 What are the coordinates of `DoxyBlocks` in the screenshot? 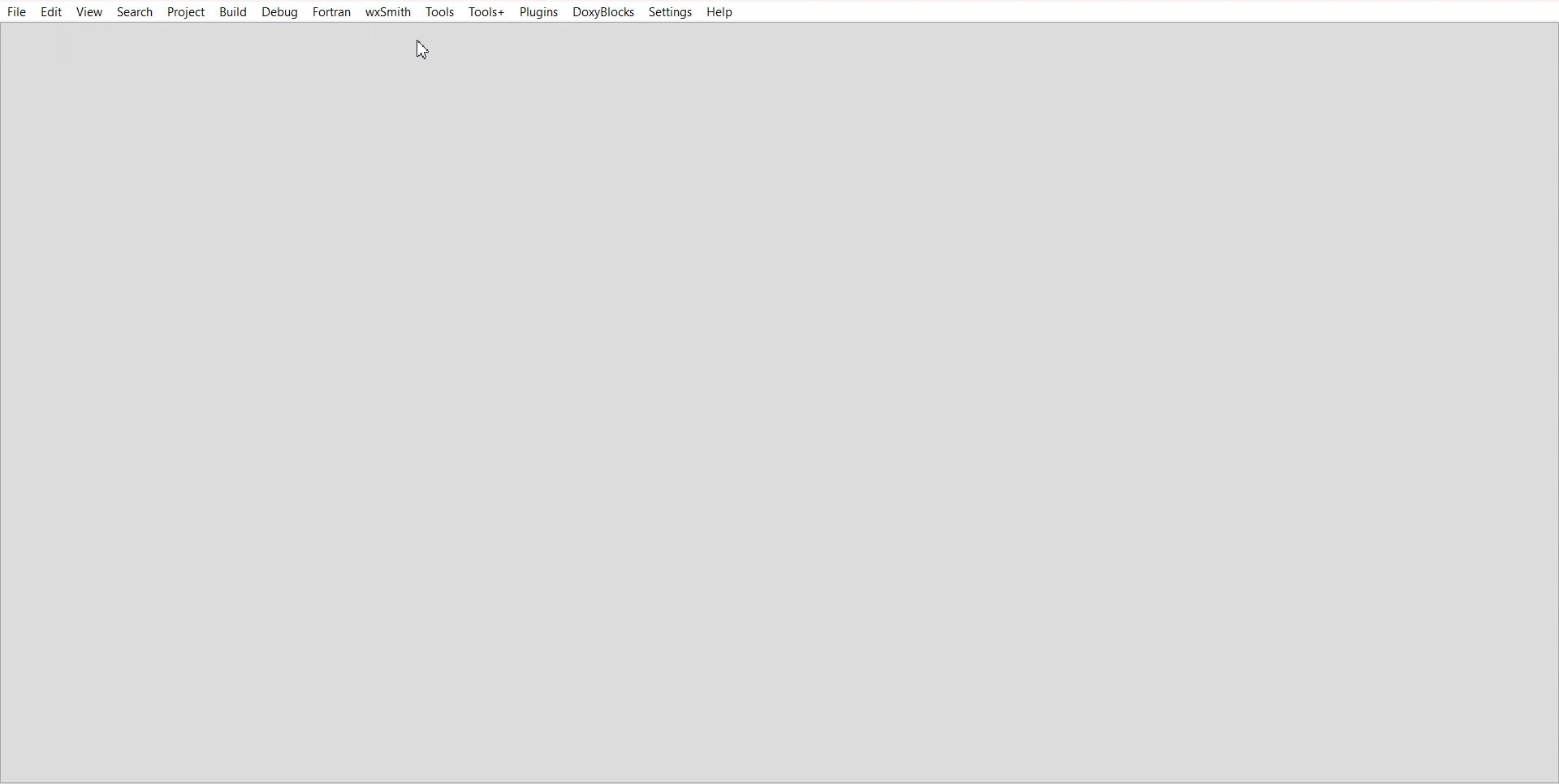 It's located at (604, 13).